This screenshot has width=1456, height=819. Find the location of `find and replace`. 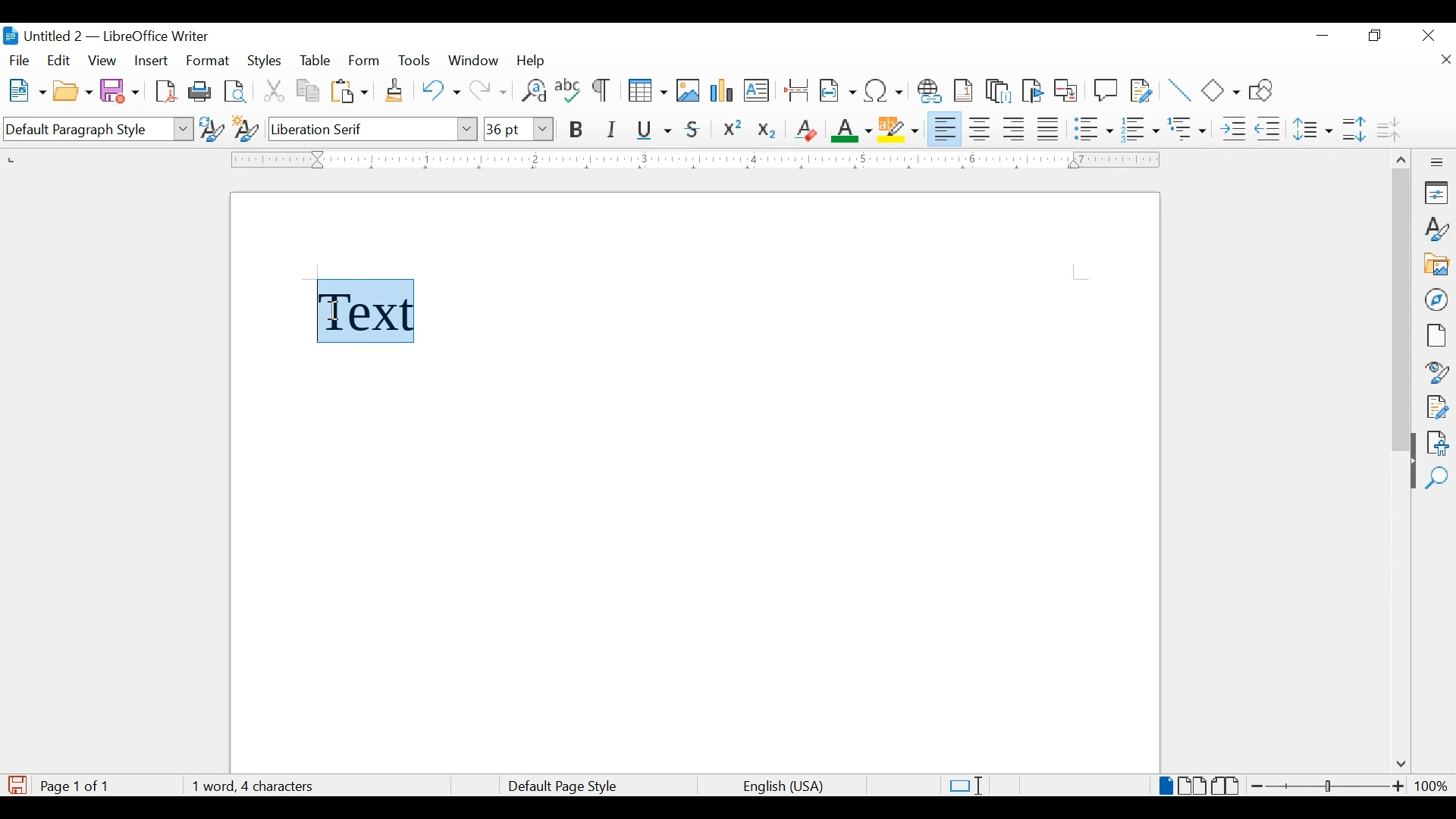

find and replace is located at coordinates (532, 90).